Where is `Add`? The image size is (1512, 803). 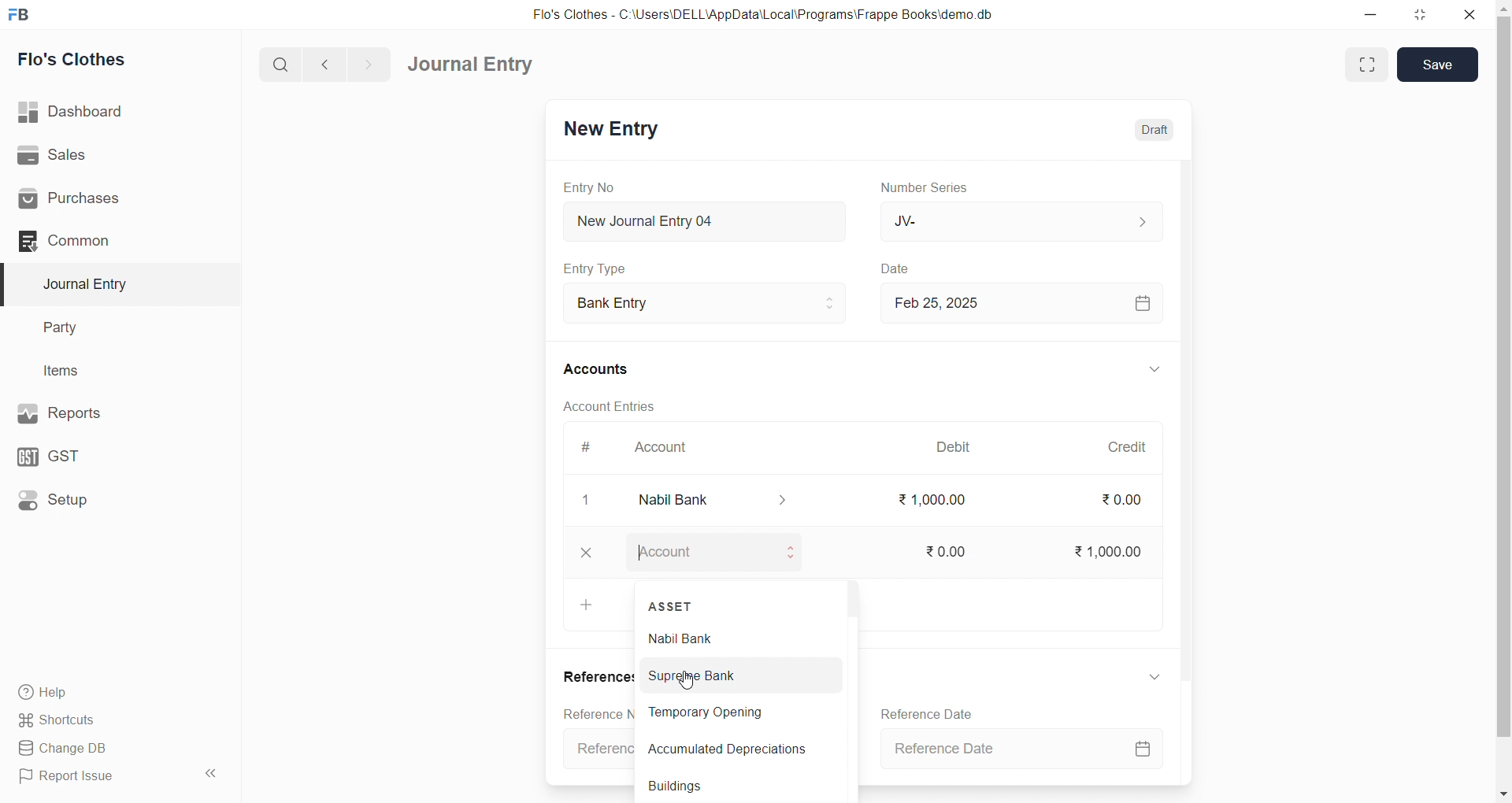 Add is located at coordinates (587, 606).